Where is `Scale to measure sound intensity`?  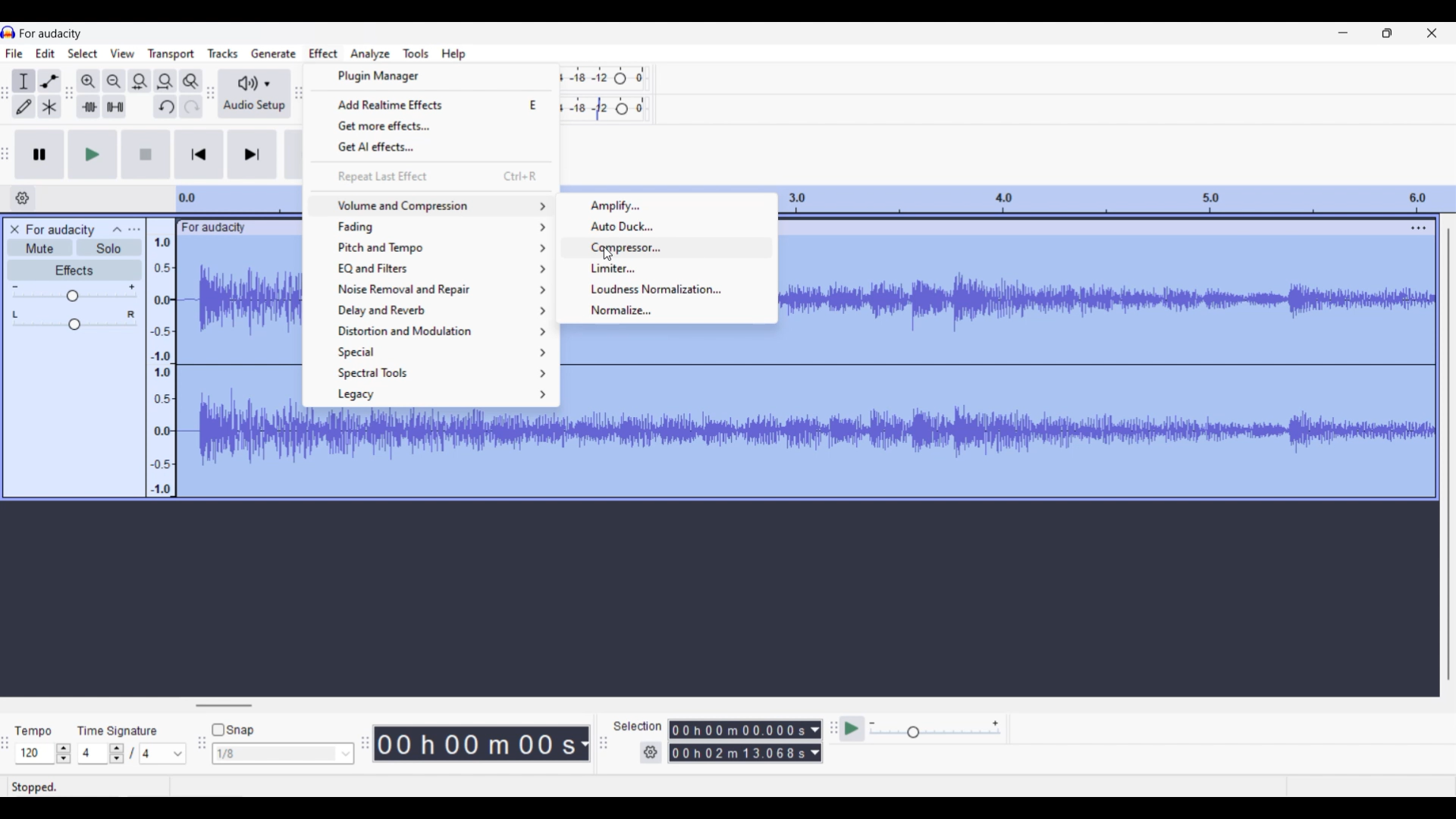 Scale to measure sound intensity is located at coordinates (161, 366).